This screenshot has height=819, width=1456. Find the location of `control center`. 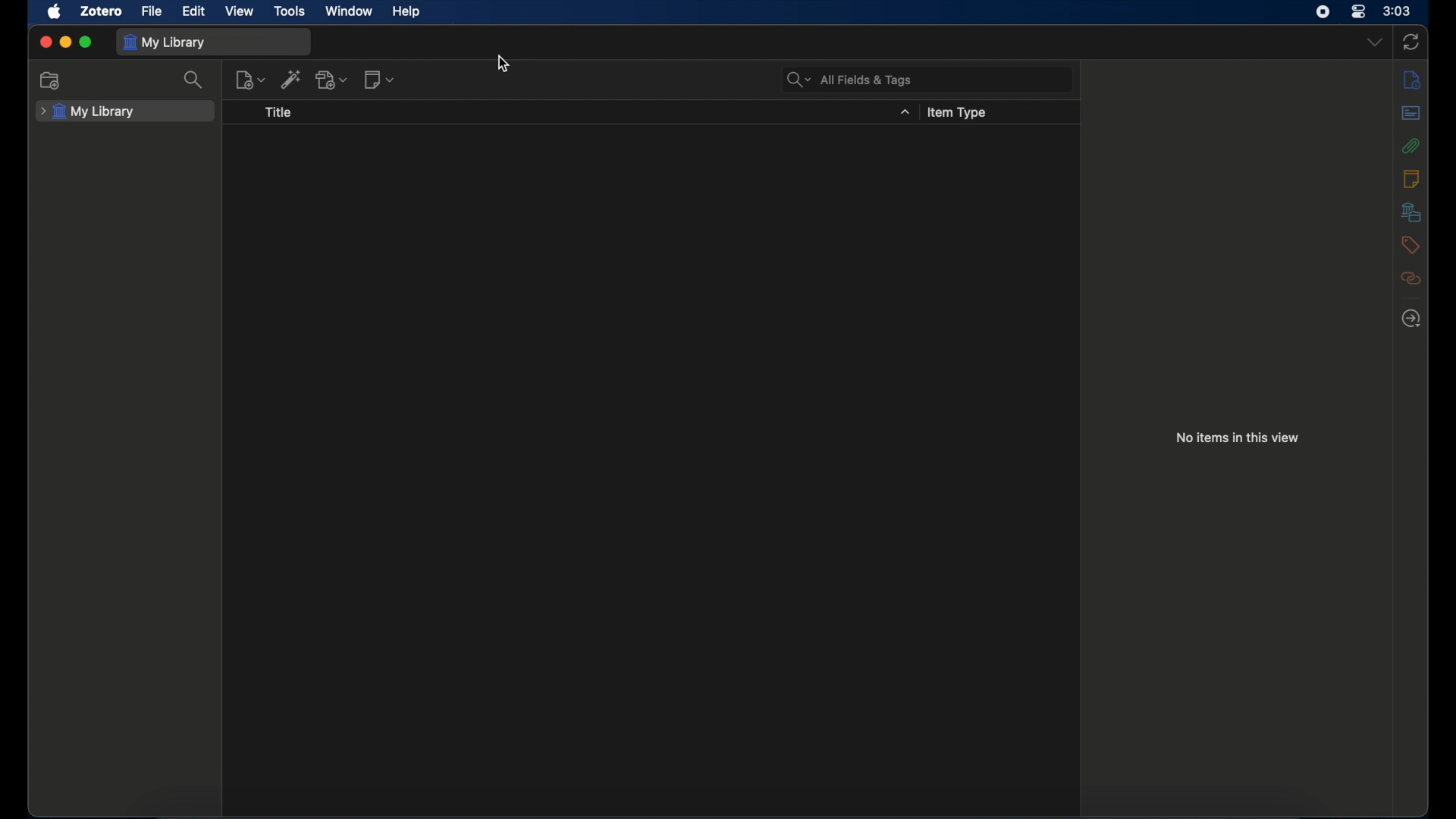

control center is located at coordinates (1357, 11).